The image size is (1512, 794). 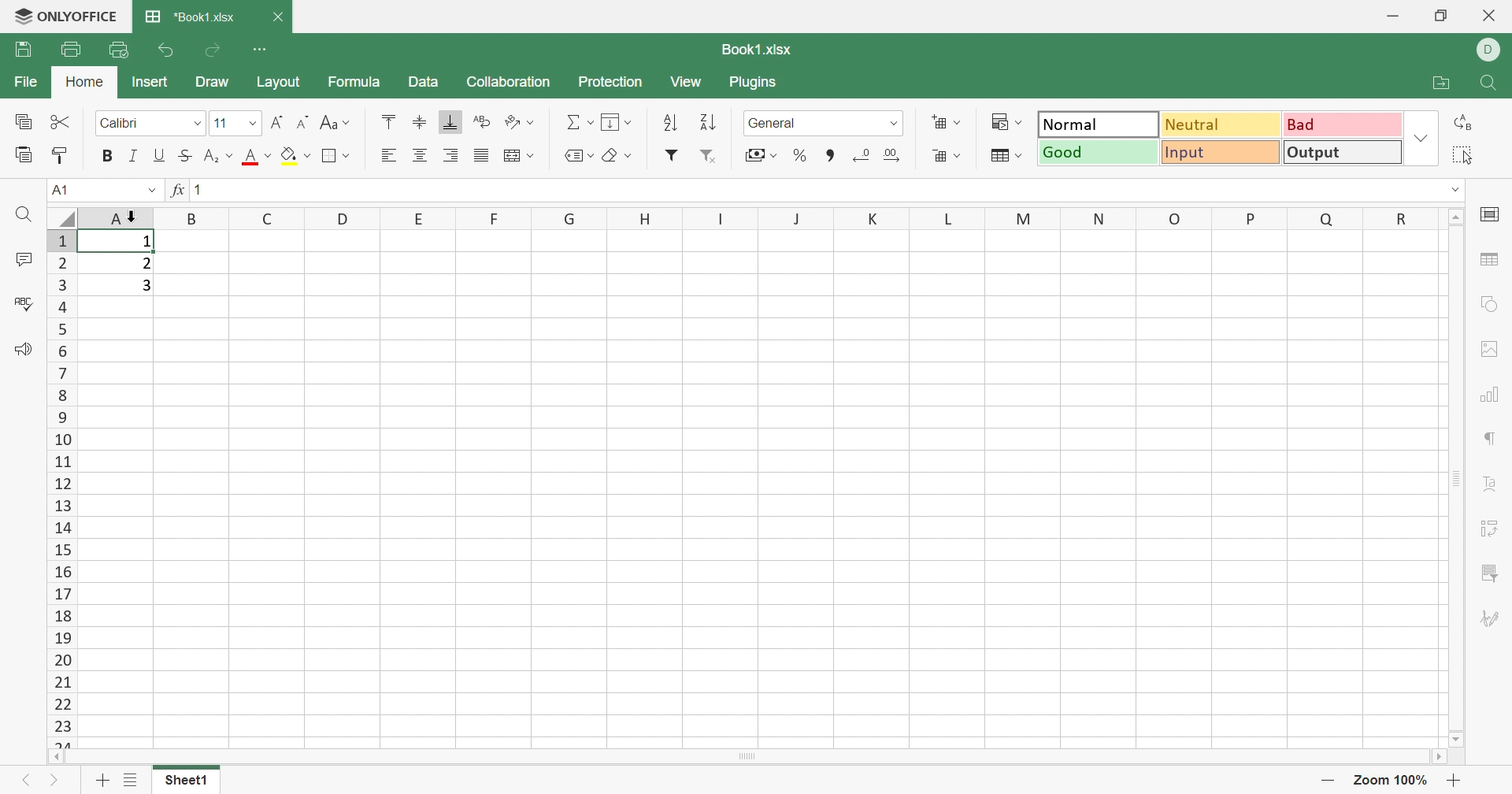 I want to click on Fill, so click(x=615, y=121).